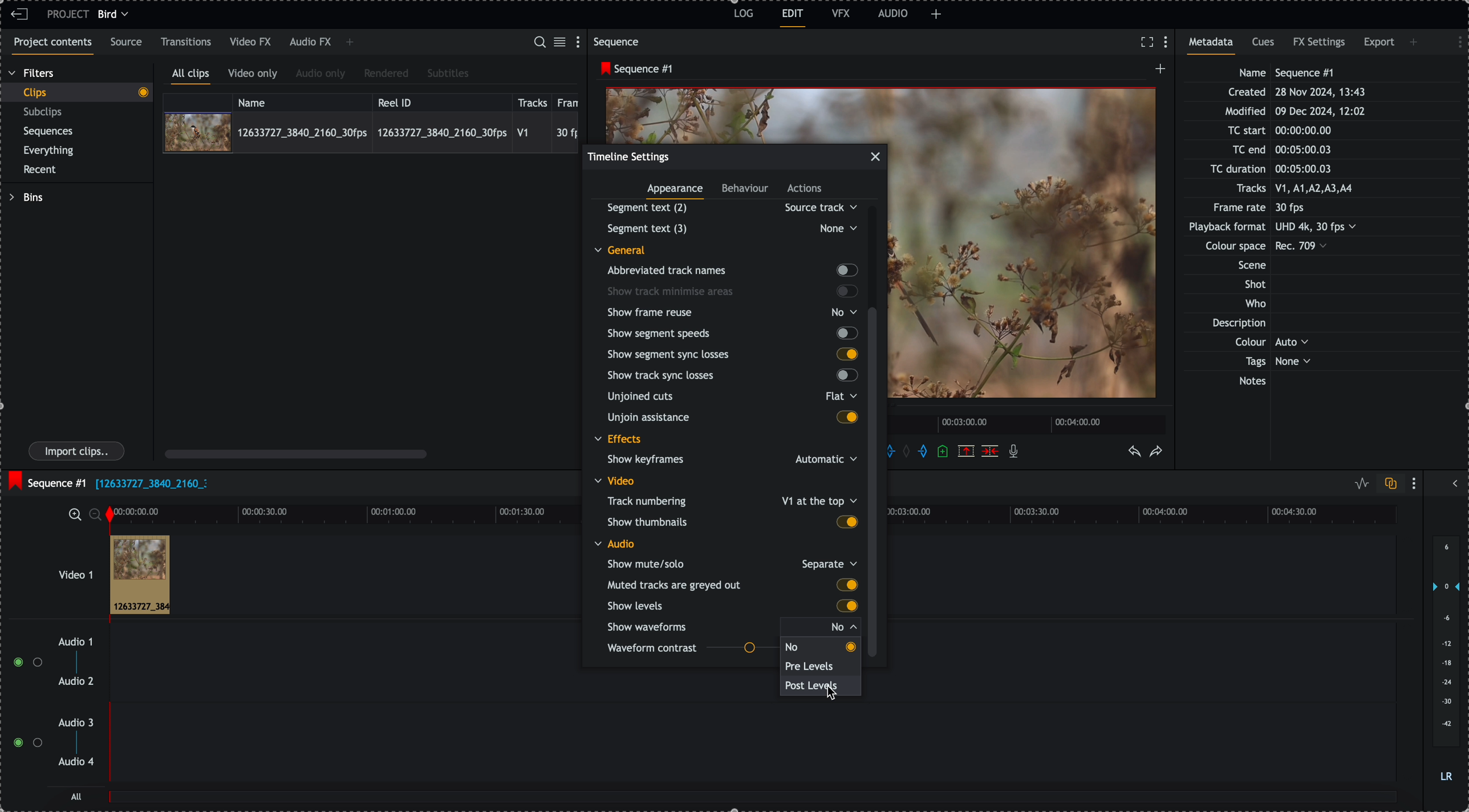 This screenshot has height=812, width=1469. Describe the element at coordinates (879, 154) in the screenshot. I see `close` at that location.